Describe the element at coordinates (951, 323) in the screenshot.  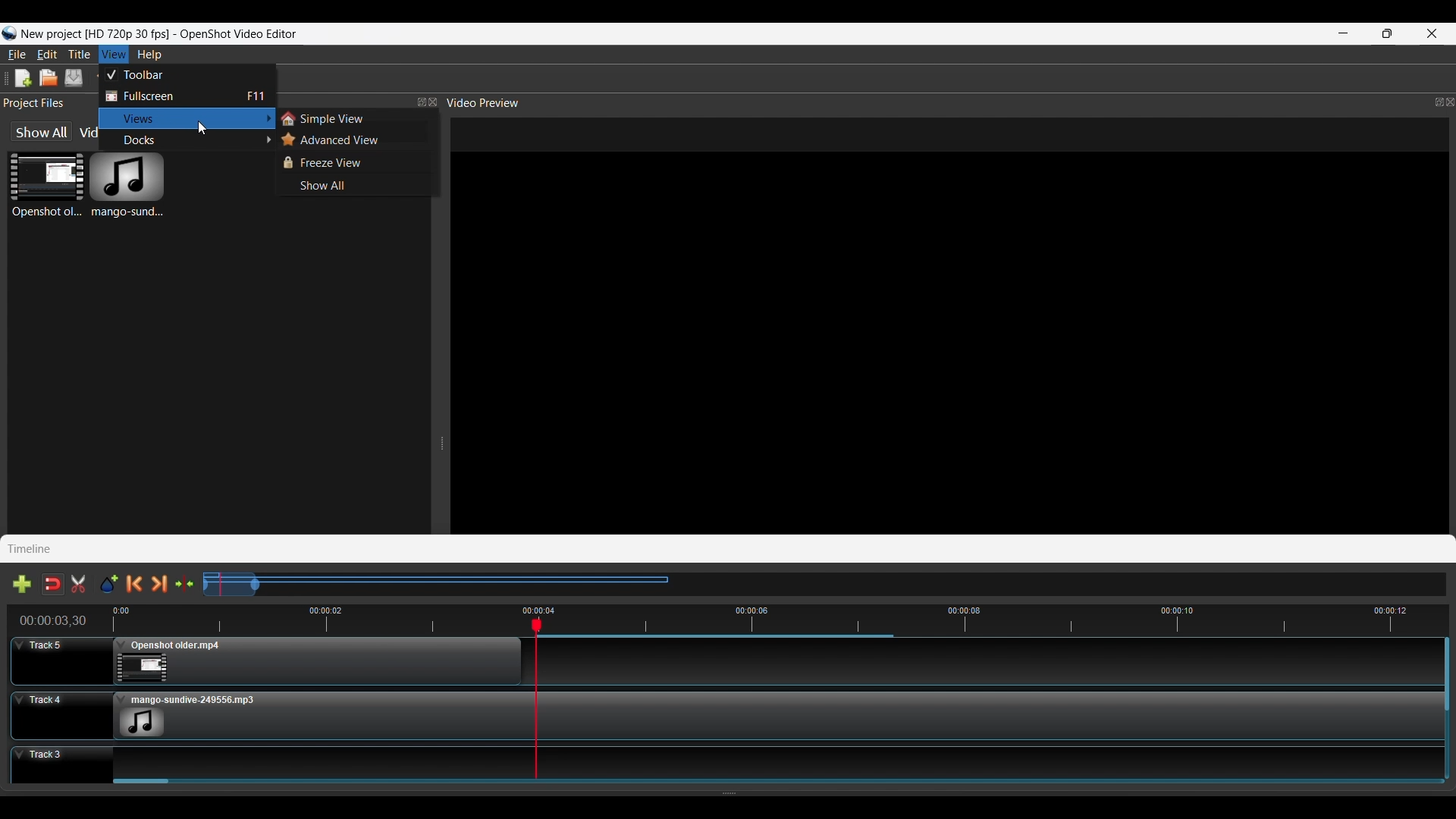
I see `File Preview` at that location.